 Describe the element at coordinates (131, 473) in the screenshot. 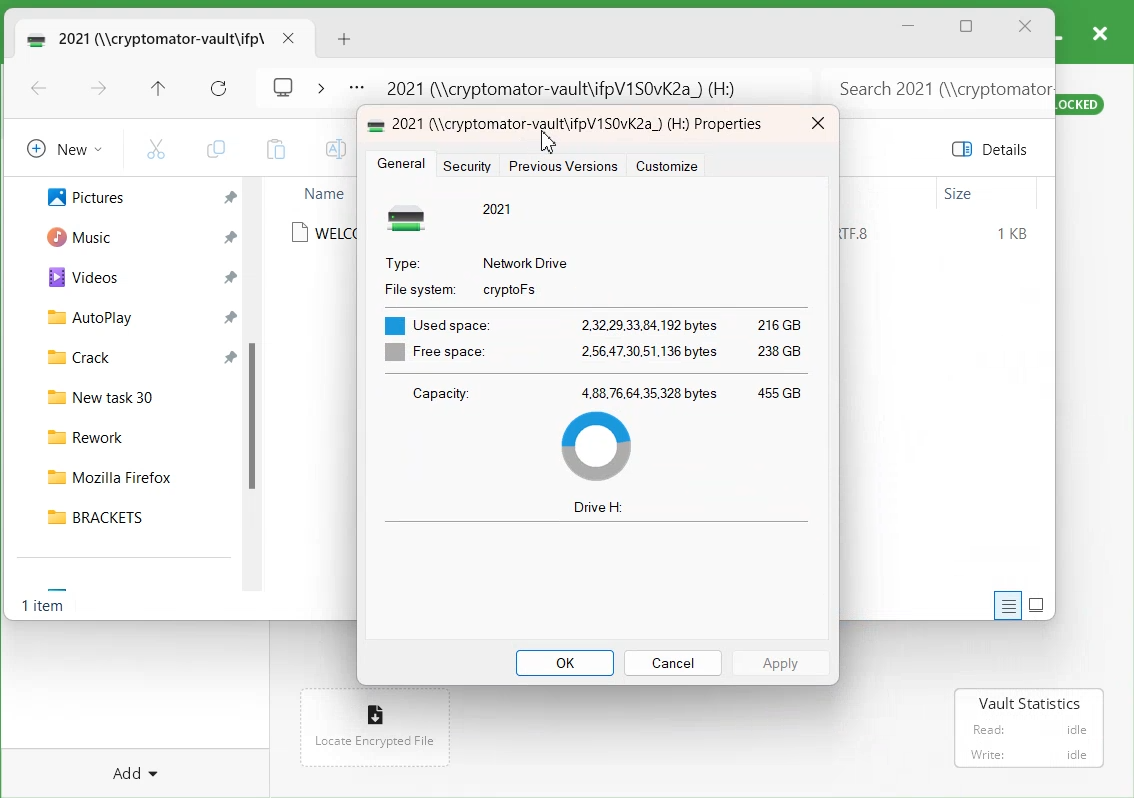

I see `Mozilla Firefox` at that location.